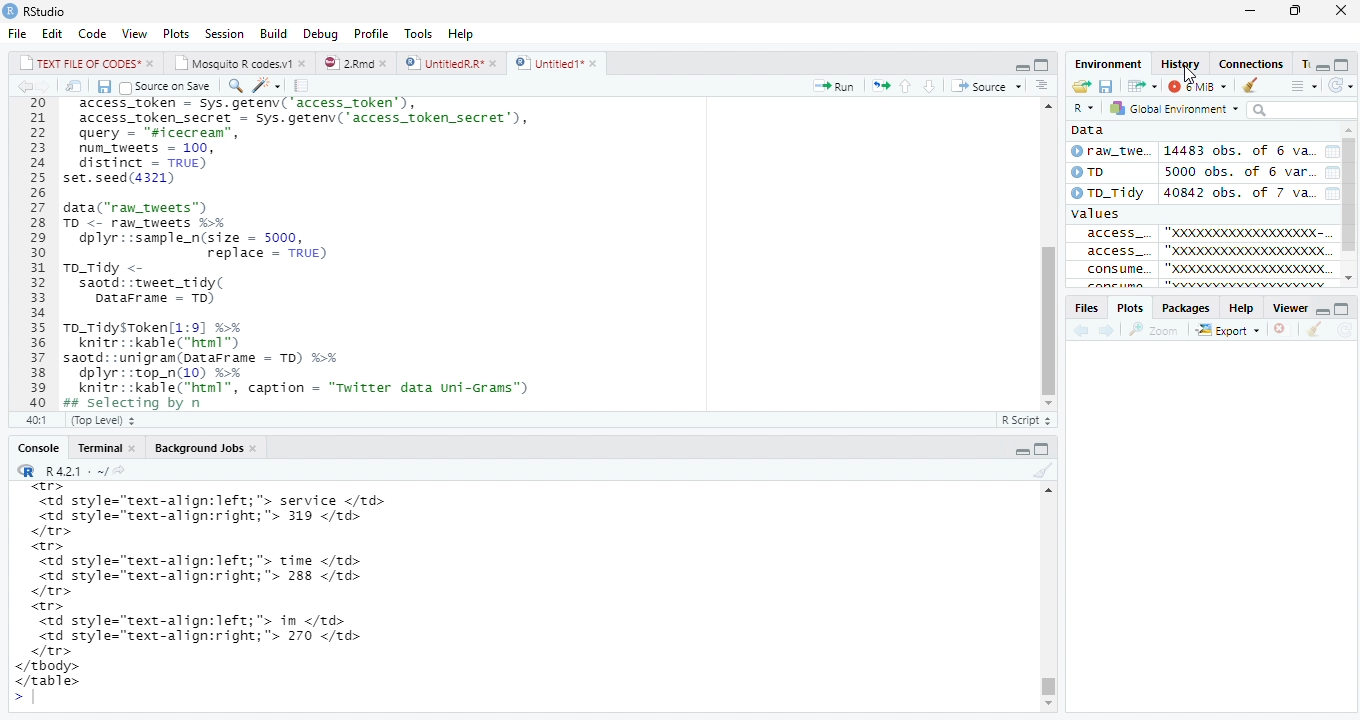 This screenshot has height=720, width=1360. What do you see at coordinates (303, 266) in the screenshot?
I see `20 access_token - Sys.getenv('access_token’),
21 access_token_secret - sys.getenv( access_token secret’),
22 query - "sicecrean”,

23 num_tweets = 100,

24 distinct = TRUE)

25 set.seed(4321)

26

27 data("raw_tweets")

28 TD <- raw tweets H¥

29 dplyr::sample_n(size = 5000,

30 replace = TRUE)

31 To_Tidy <-

32 saotd::tweet_tidy(

33 Datarrame - TD)

34

35 To_TidysToken[1:9] %%

36 knitr::kable("html™)

37 saotd: :unigram(pataFrame = TD) %>%

38 dplyr::top_n(10) %%

39 knitr::kable("html”, caption = "Twitter data uni-Grams")
40 Bs selecting bv n` at bounding box center [303, 266].